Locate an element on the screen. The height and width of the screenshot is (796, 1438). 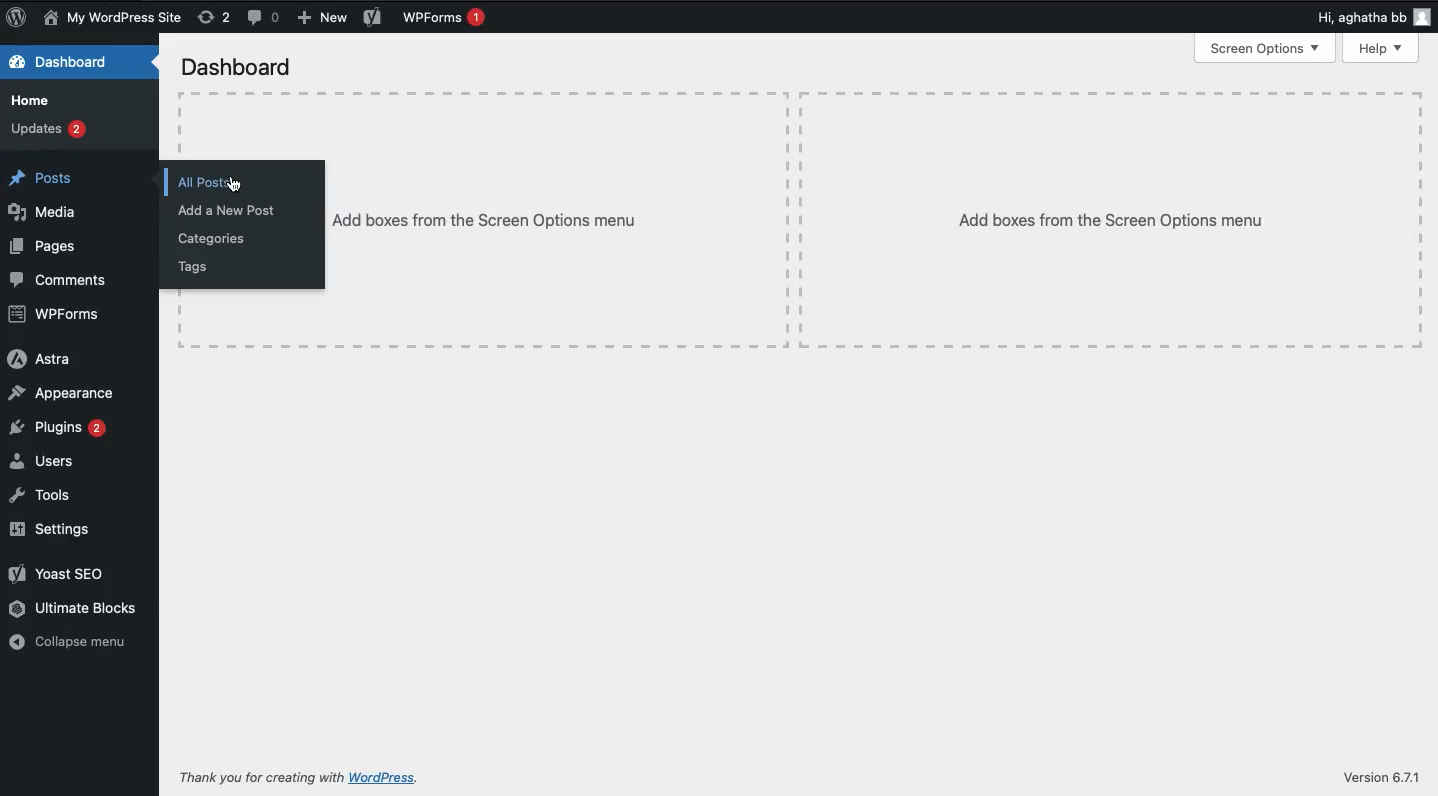
Ultimate blocks is located at coordinates (73, 609).